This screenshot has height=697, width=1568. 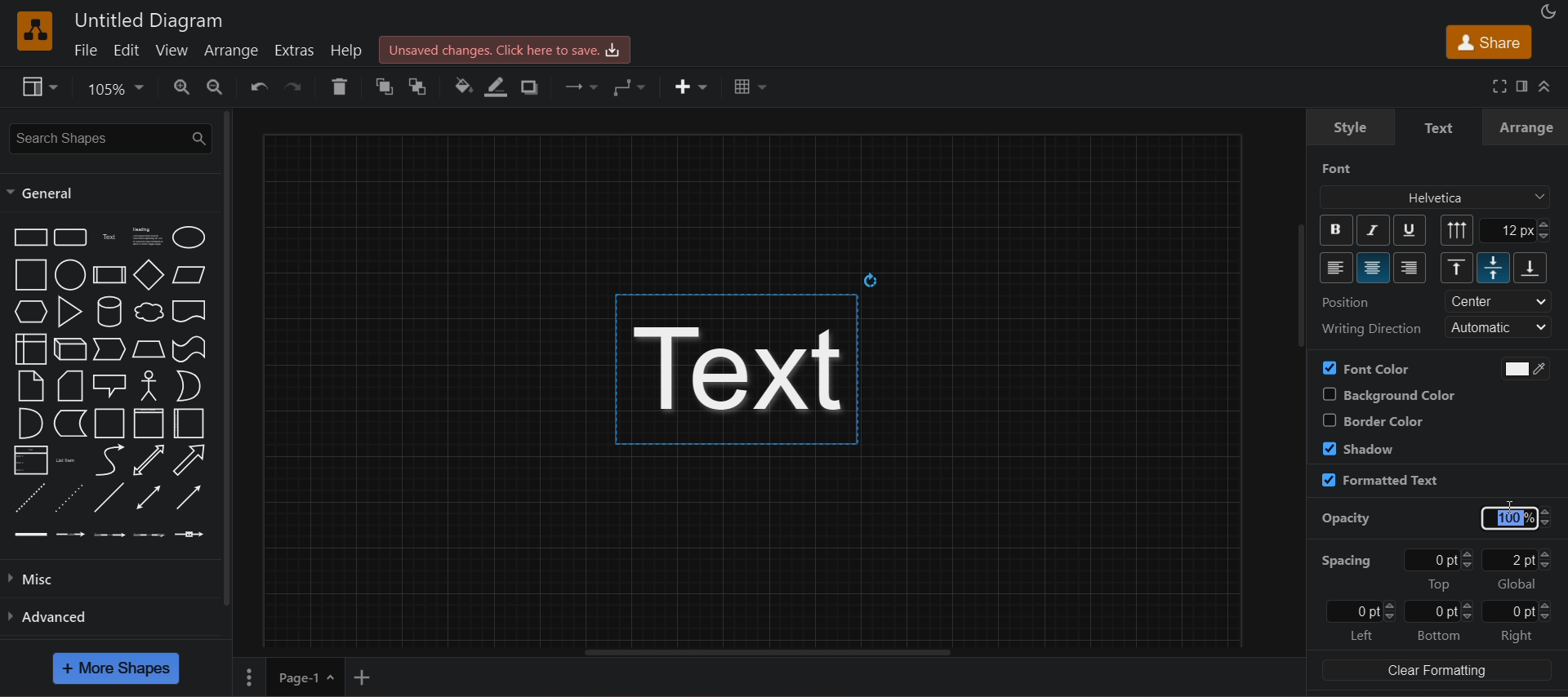 What do you see at coordinates (691, 87) in the screenshot?
I see `insert` at bounding box center [691, 87].